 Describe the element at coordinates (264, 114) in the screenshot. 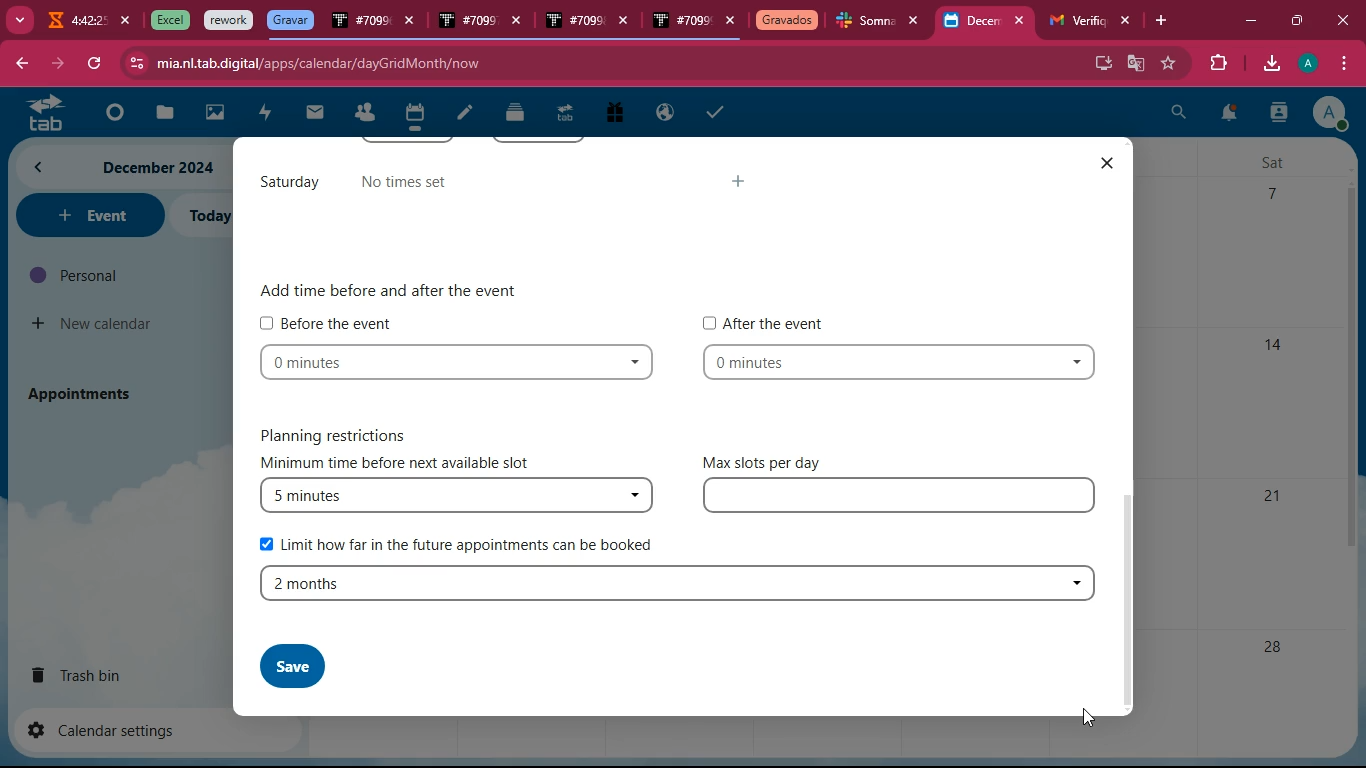

I see `charge` at that location.